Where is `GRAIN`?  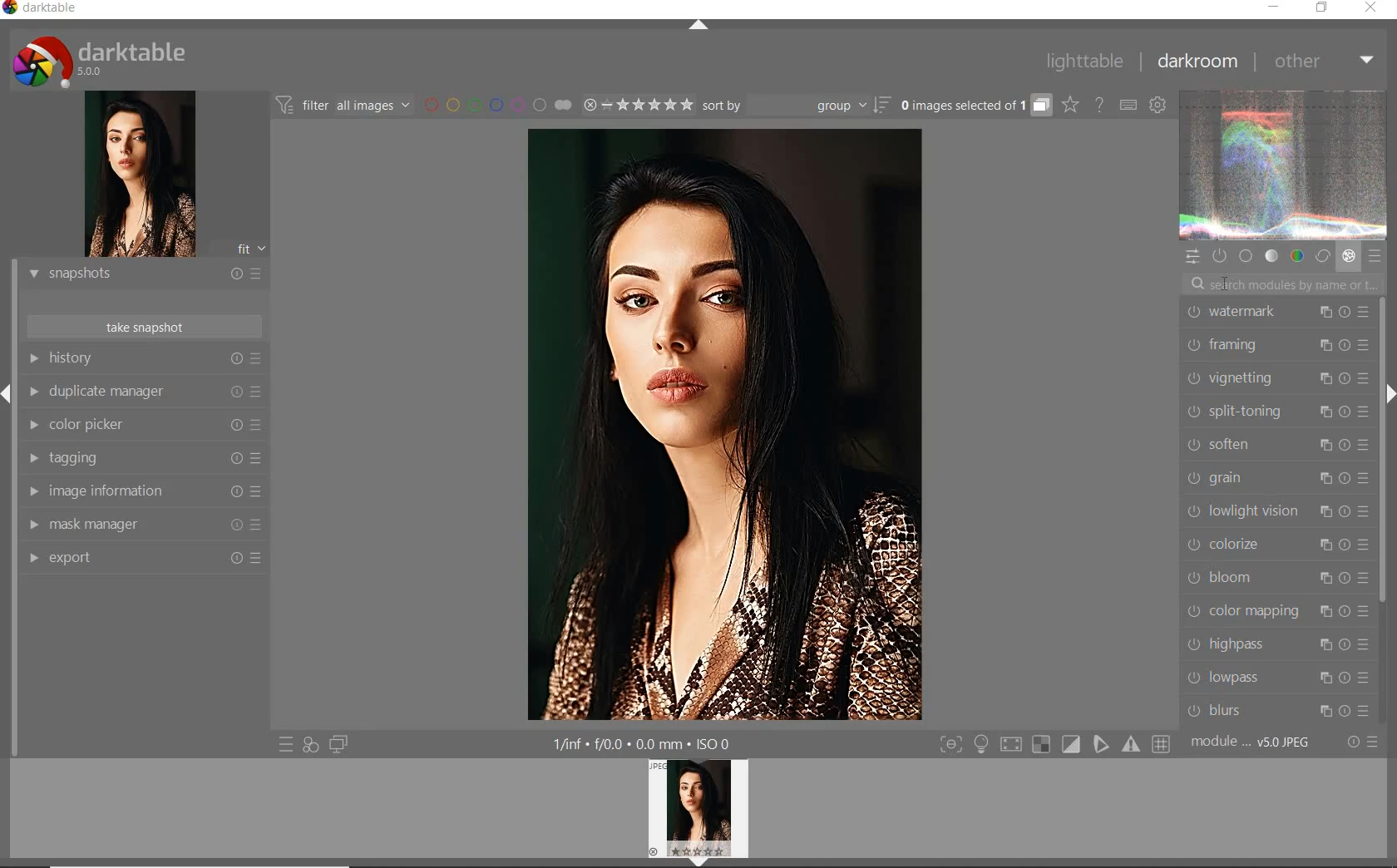
GRAIN is located at coordinates (1275, 475).